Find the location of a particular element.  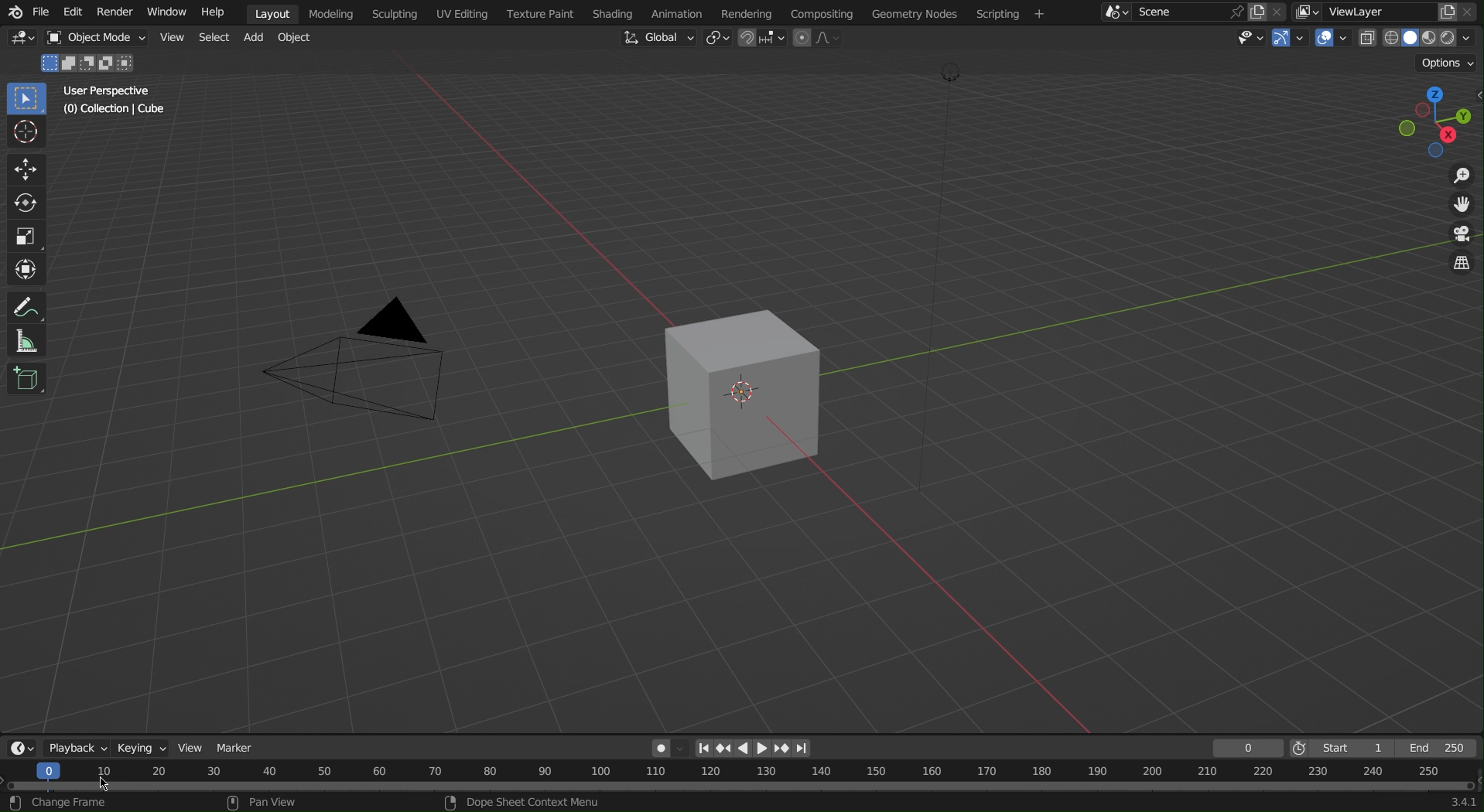

Show Overlays is located at coordinates (1335, 38).